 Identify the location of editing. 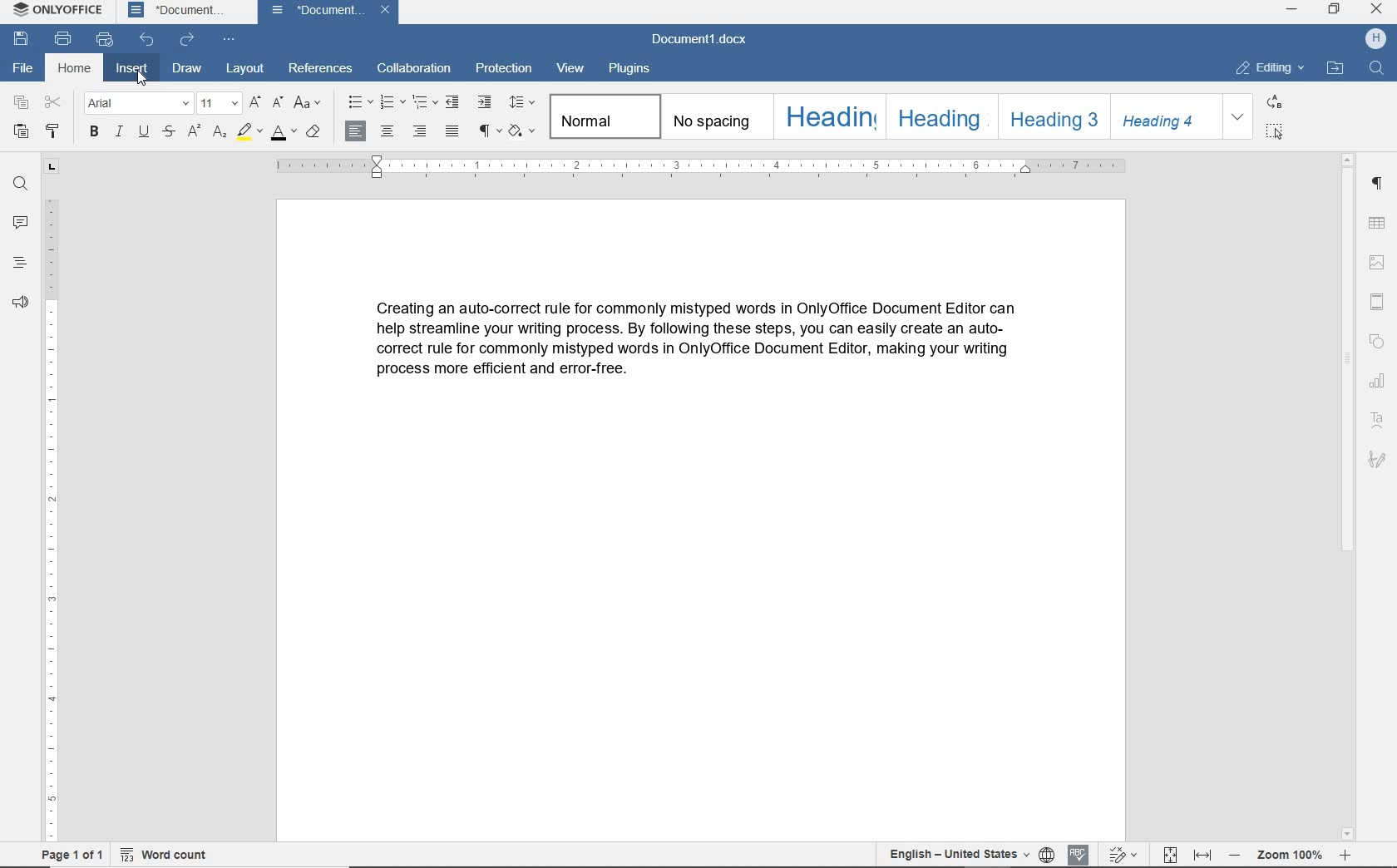
(1269, 68).